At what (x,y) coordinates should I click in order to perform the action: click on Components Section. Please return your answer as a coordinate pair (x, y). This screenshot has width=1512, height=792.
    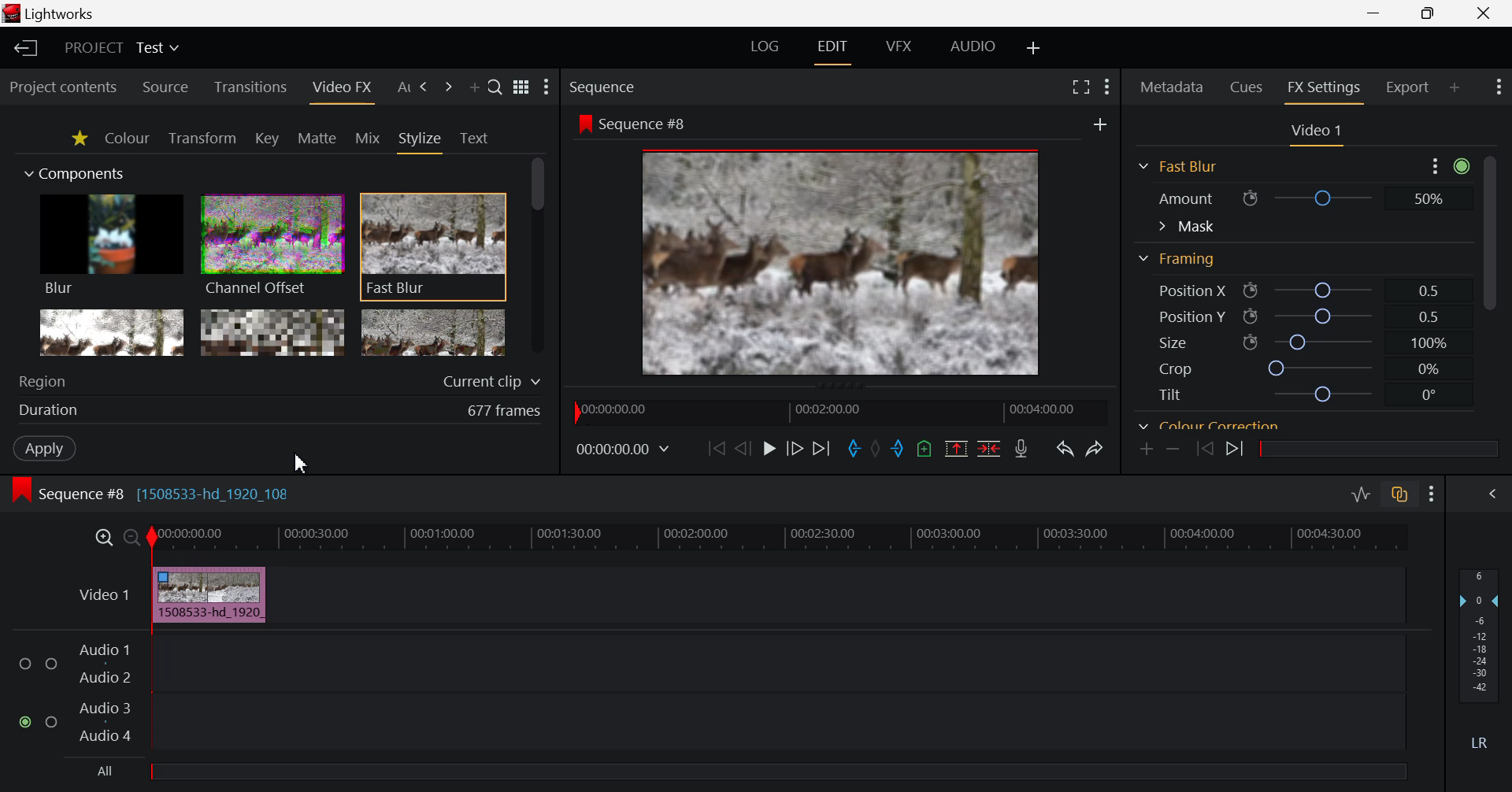
    Looking at the image, I should click on (80, 172).